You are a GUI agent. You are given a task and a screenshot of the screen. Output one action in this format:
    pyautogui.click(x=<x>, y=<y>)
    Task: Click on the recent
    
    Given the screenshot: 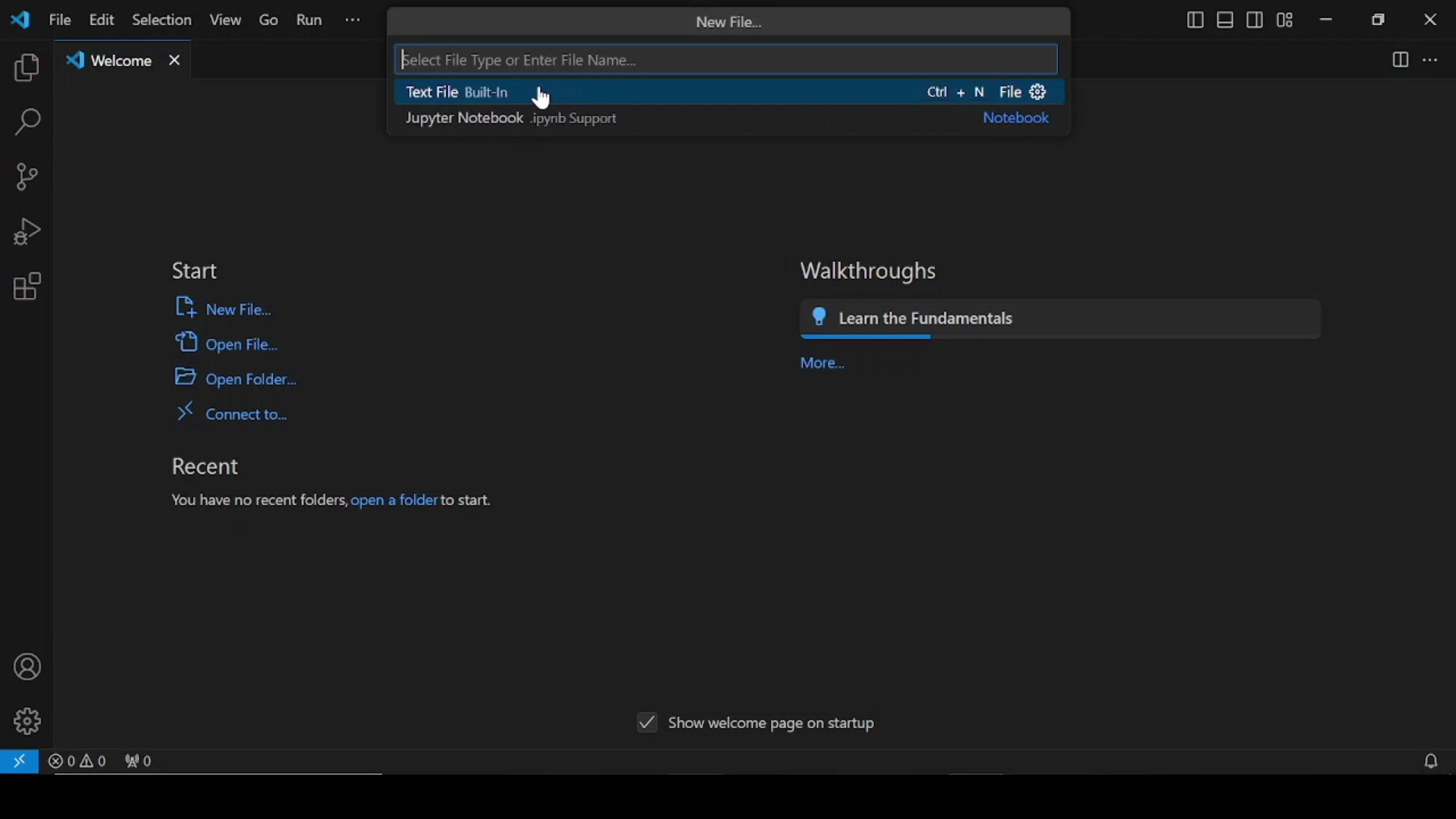 What is the action you would take?
    pyautogui.click(x=204, y=466)
    